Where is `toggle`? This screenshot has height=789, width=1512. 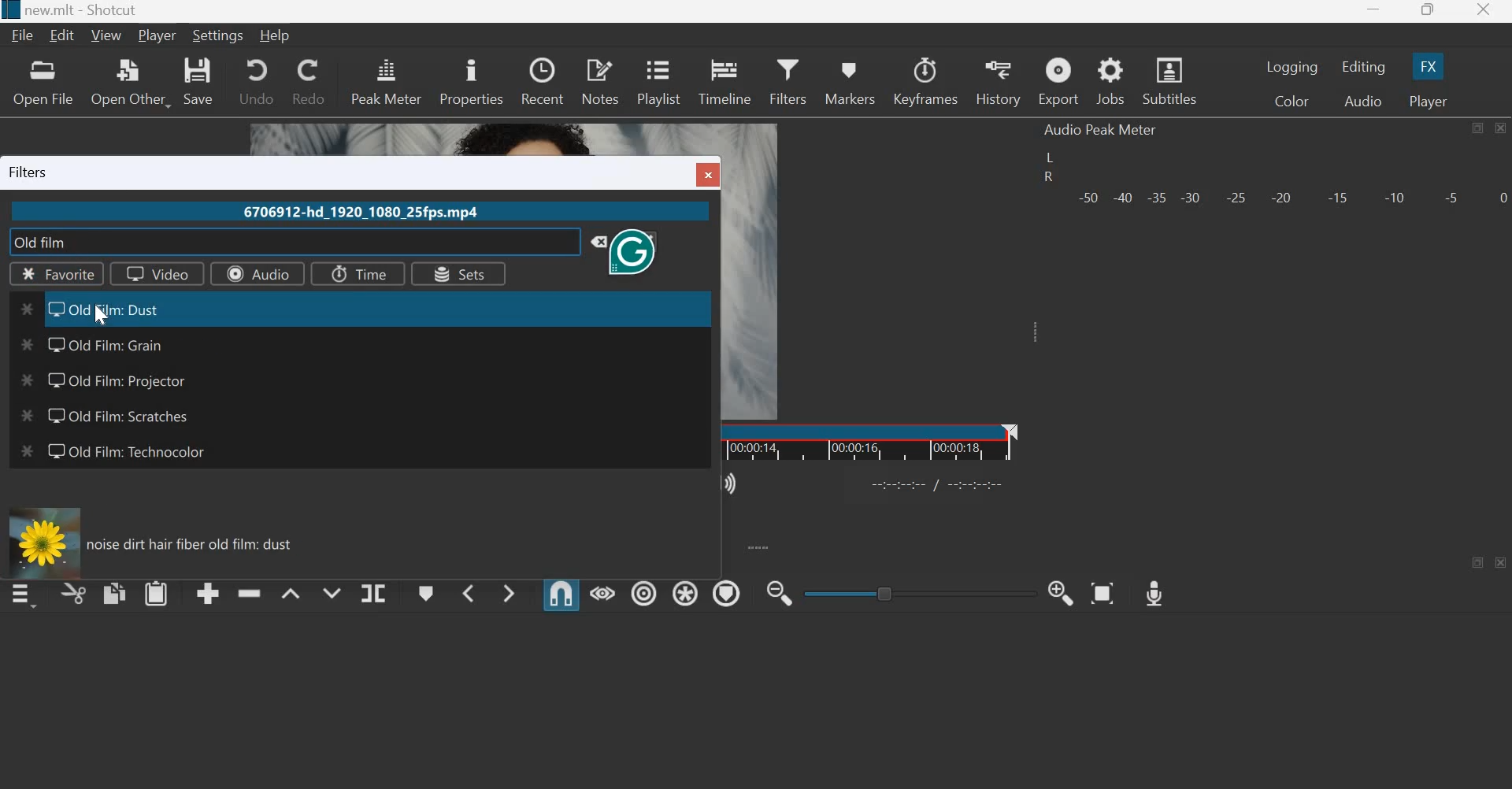 toggle is located at coordinates (921, 591).